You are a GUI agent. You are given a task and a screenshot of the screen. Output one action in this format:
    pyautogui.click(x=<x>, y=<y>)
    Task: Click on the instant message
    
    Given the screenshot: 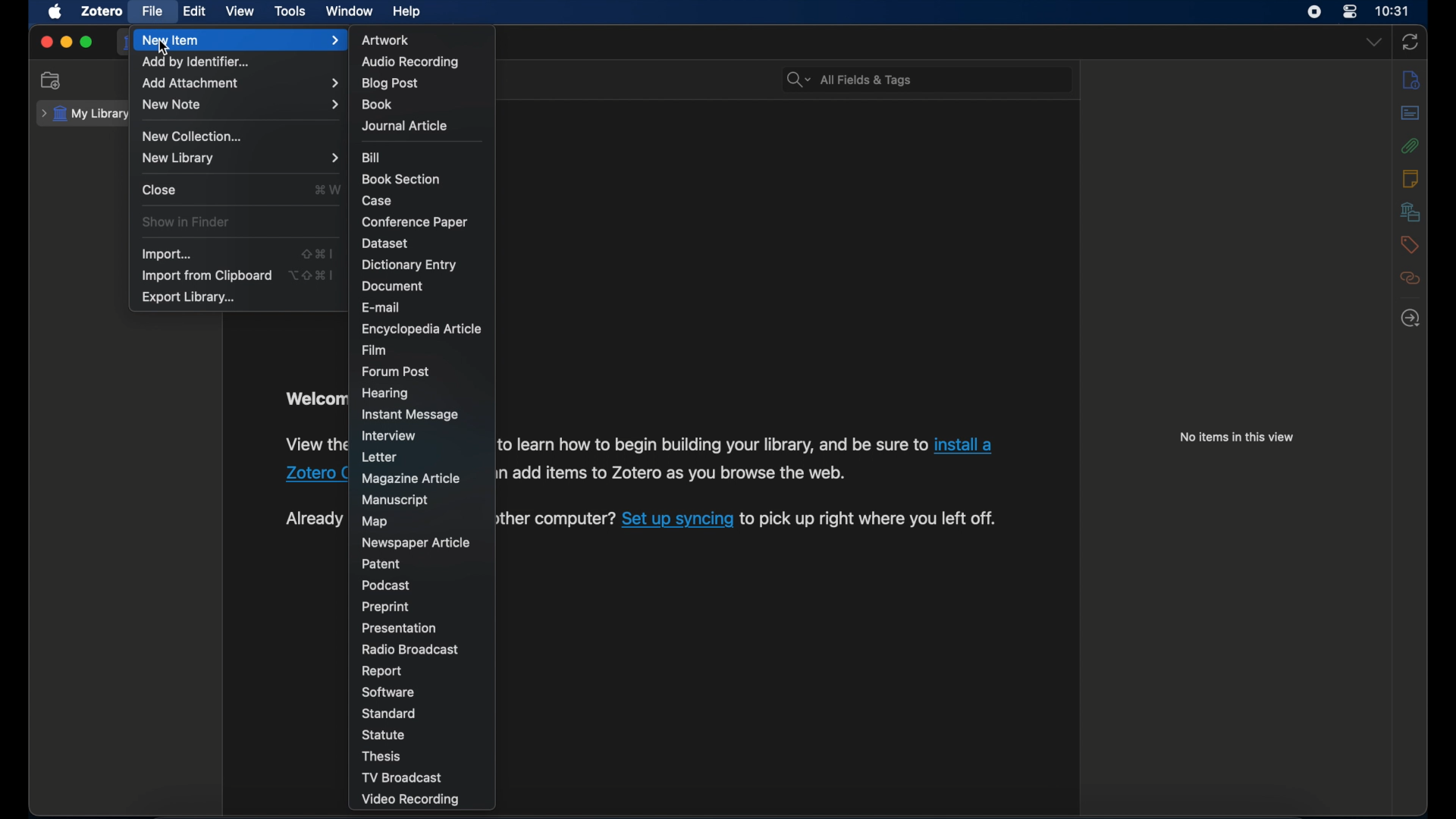 What is the action you would take?
    pyautogui.click(x=409, y=415)
    